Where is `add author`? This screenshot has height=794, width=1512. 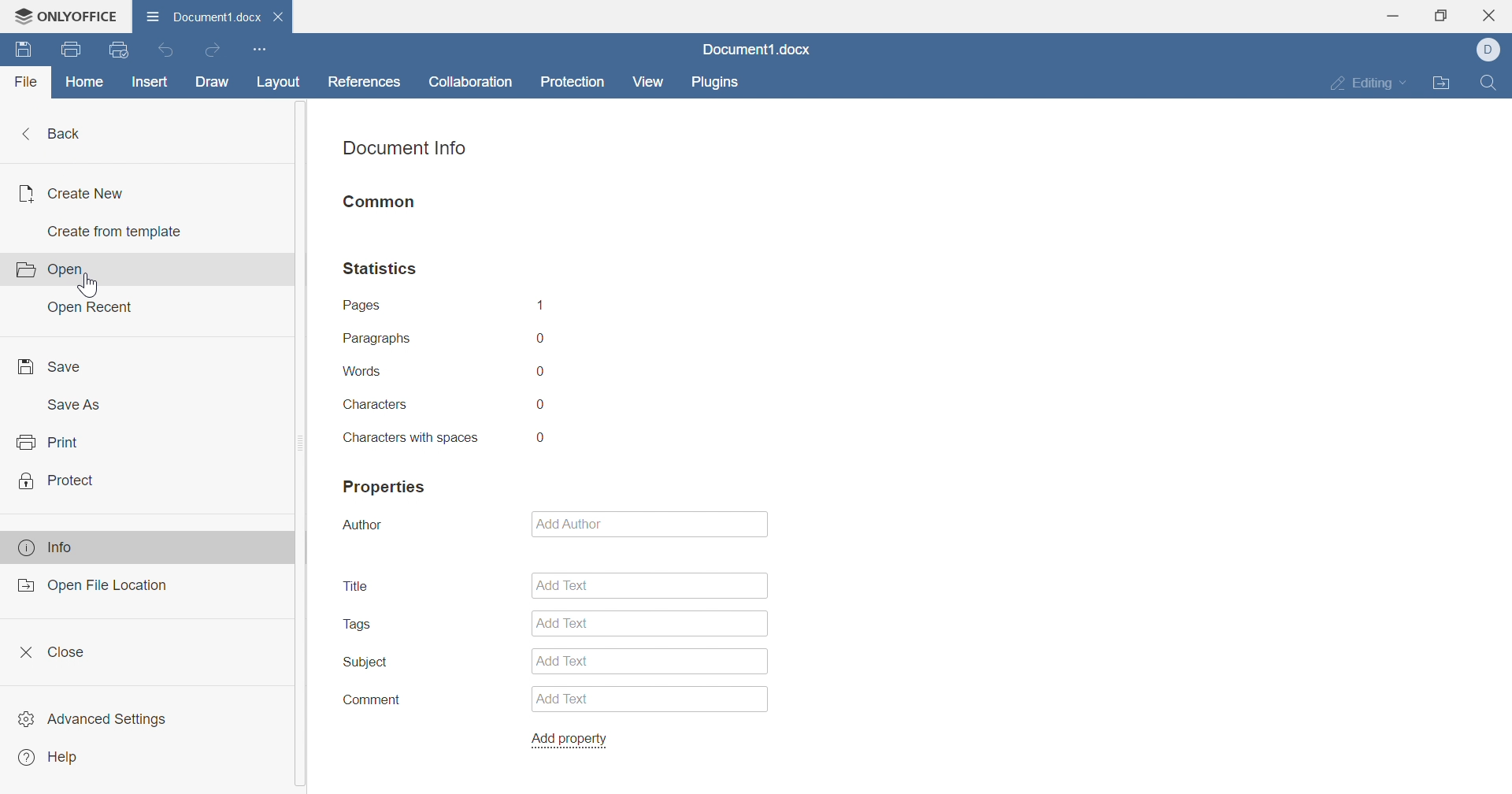 add author is located at coordinates (570, 525).